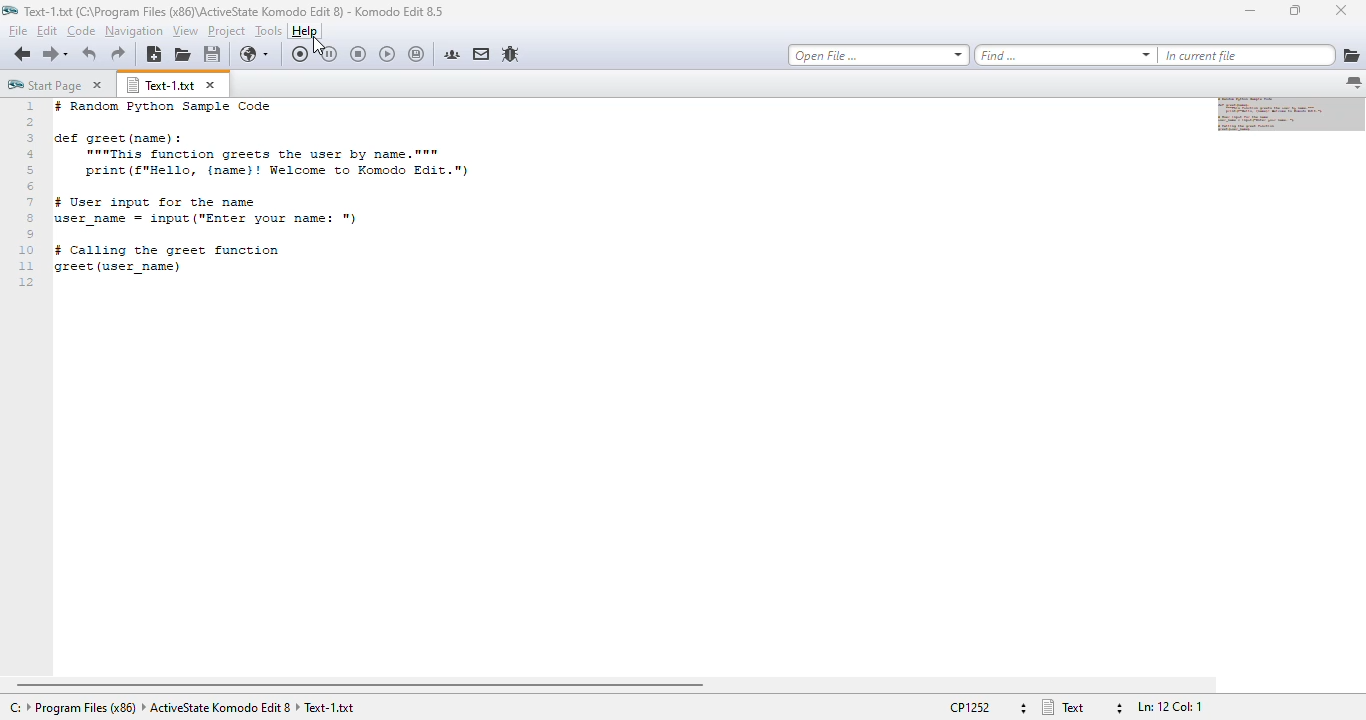 The height and width of the screenshot is (720, 1366). I want to click on navigation, so click(134, 31).